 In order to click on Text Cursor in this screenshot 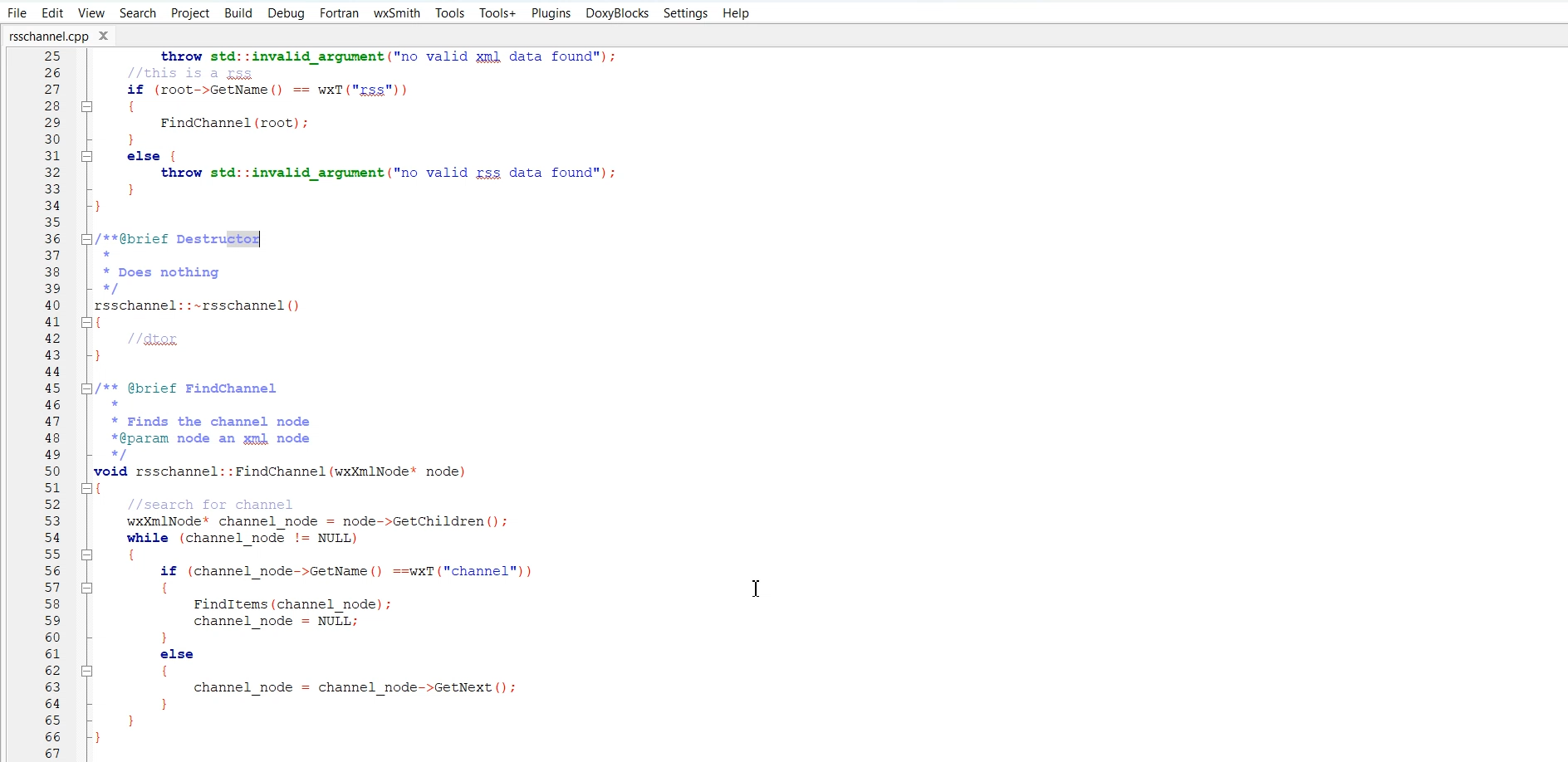, I will do `click(756, 588)`.